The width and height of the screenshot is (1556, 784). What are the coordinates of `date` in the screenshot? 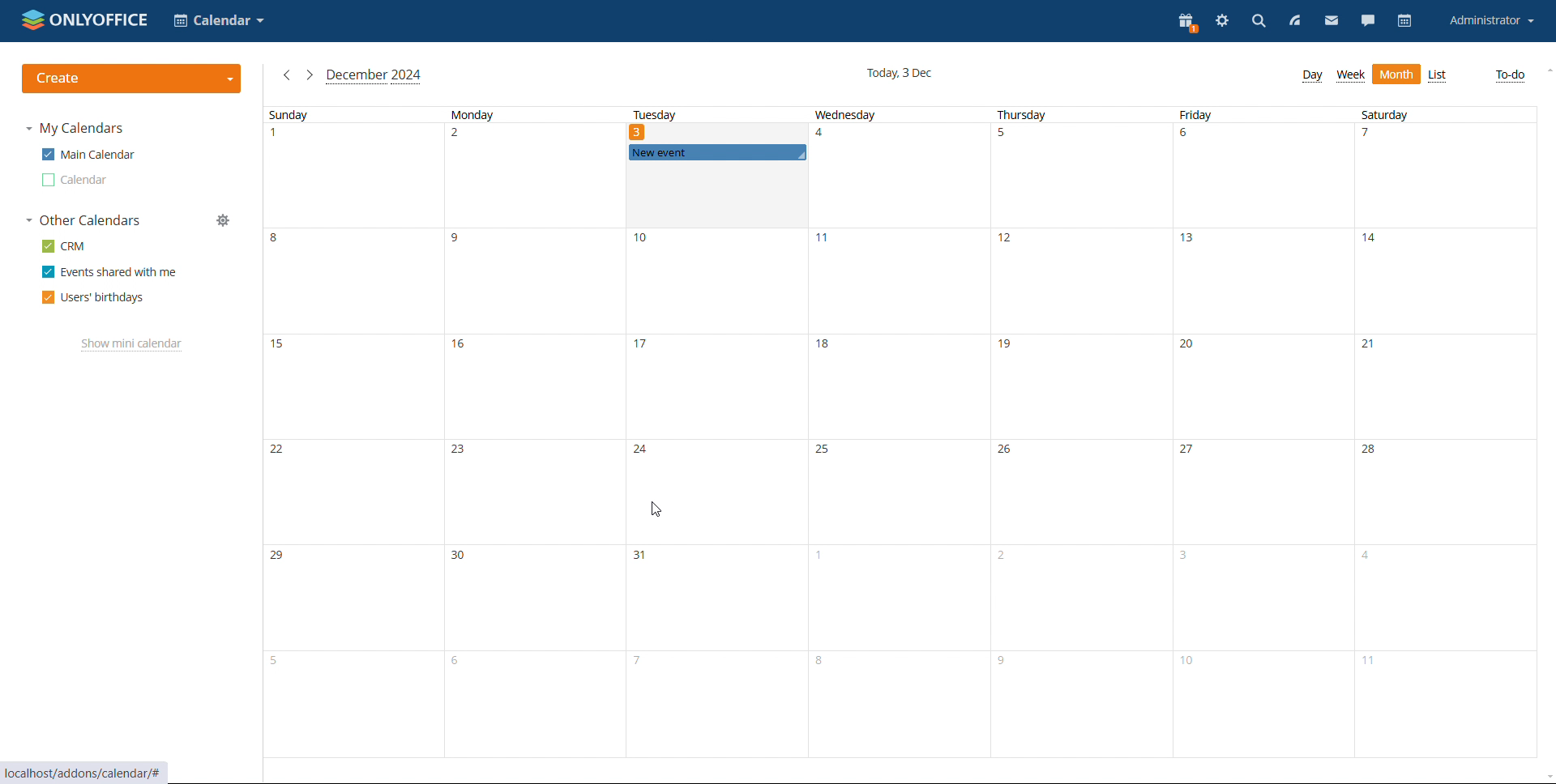 It's located at (719, 598).